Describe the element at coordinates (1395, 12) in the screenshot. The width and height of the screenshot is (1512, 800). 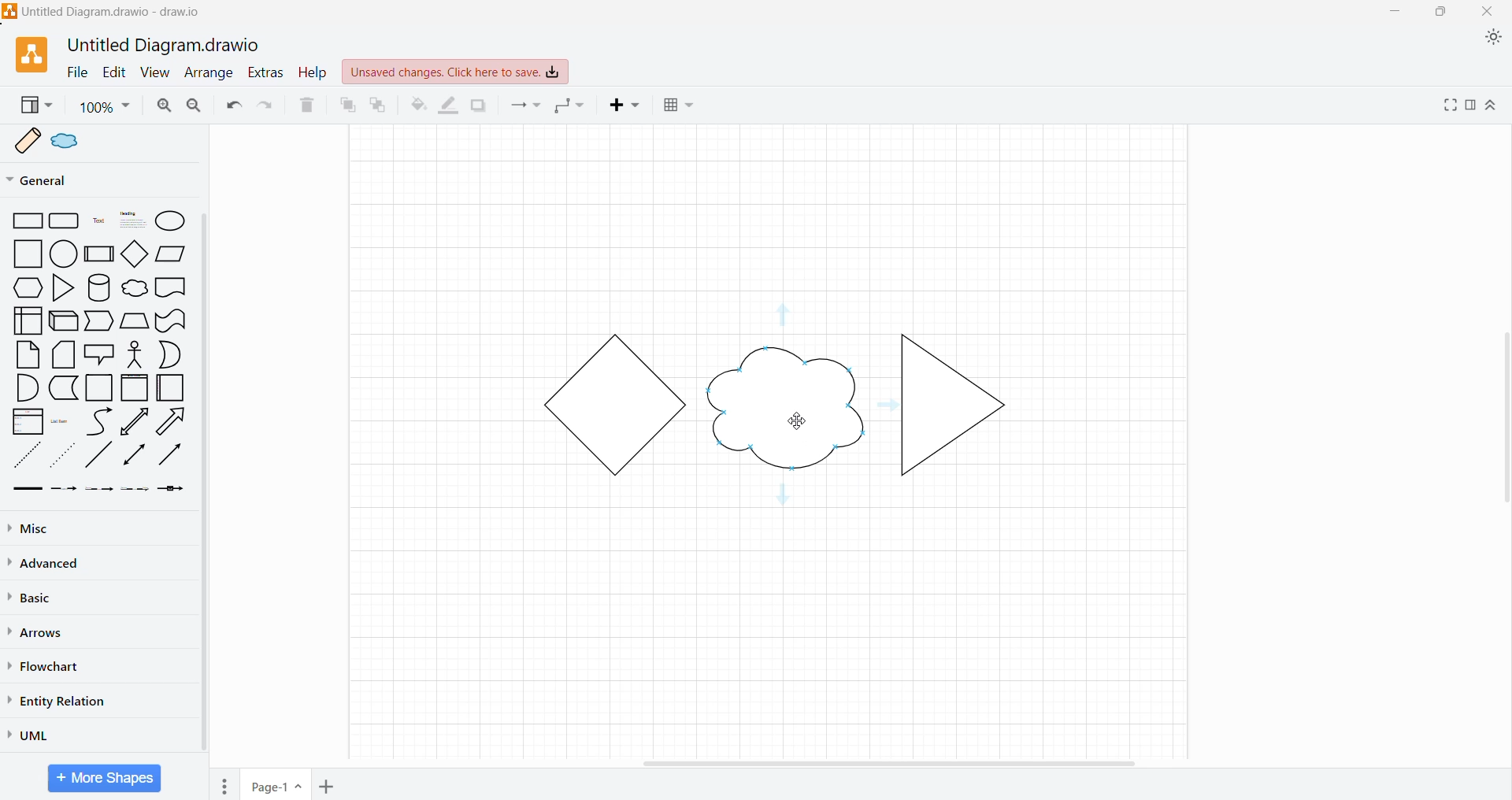
I see `Minimize` at that location.